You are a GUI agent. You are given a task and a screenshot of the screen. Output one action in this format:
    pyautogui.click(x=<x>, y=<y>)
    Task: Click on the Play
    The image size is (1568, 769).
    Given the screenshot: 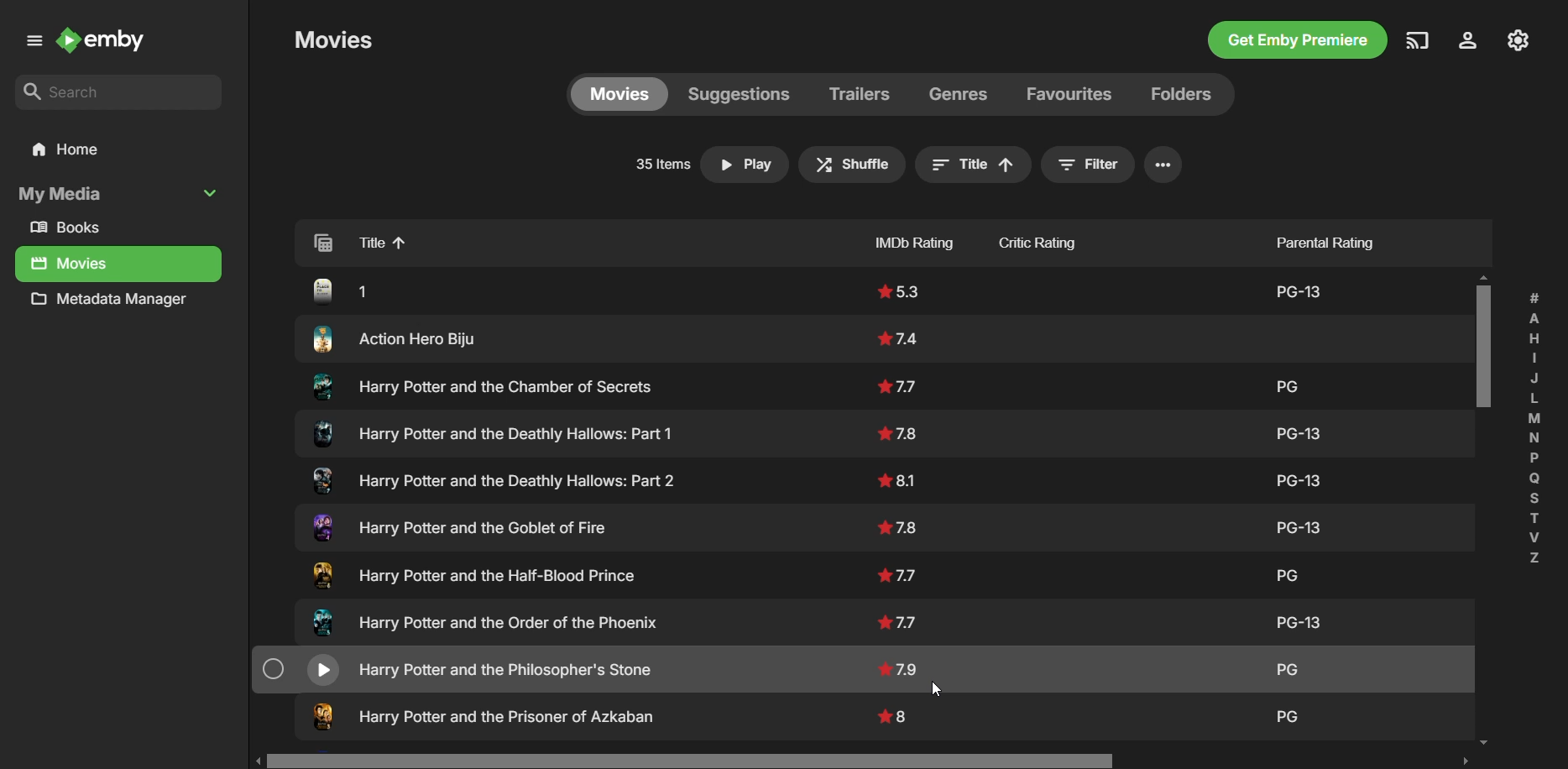 What is the action you would take?
    pyautogui.click(x=749, y=165)
    